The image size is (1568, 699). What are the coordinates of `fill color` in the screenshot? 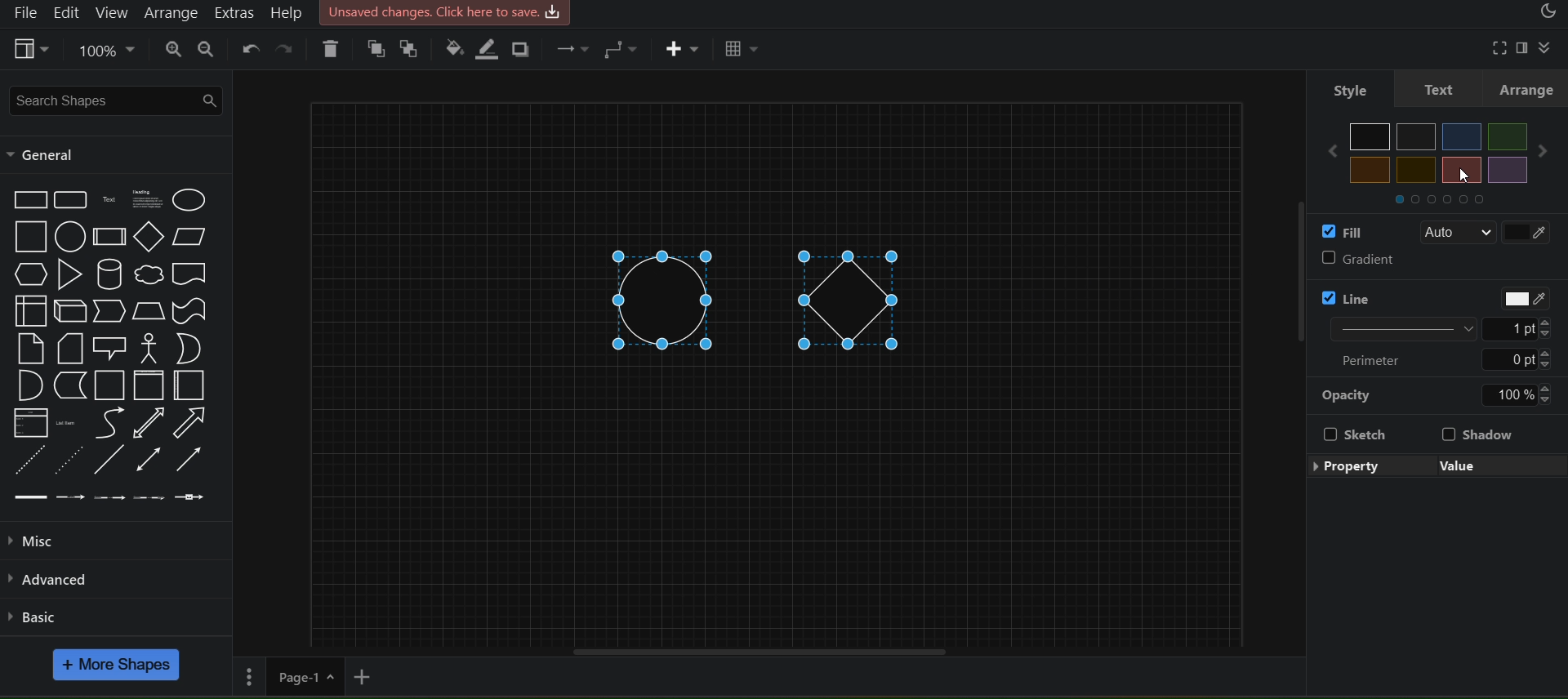 It's located at (1533, 230).